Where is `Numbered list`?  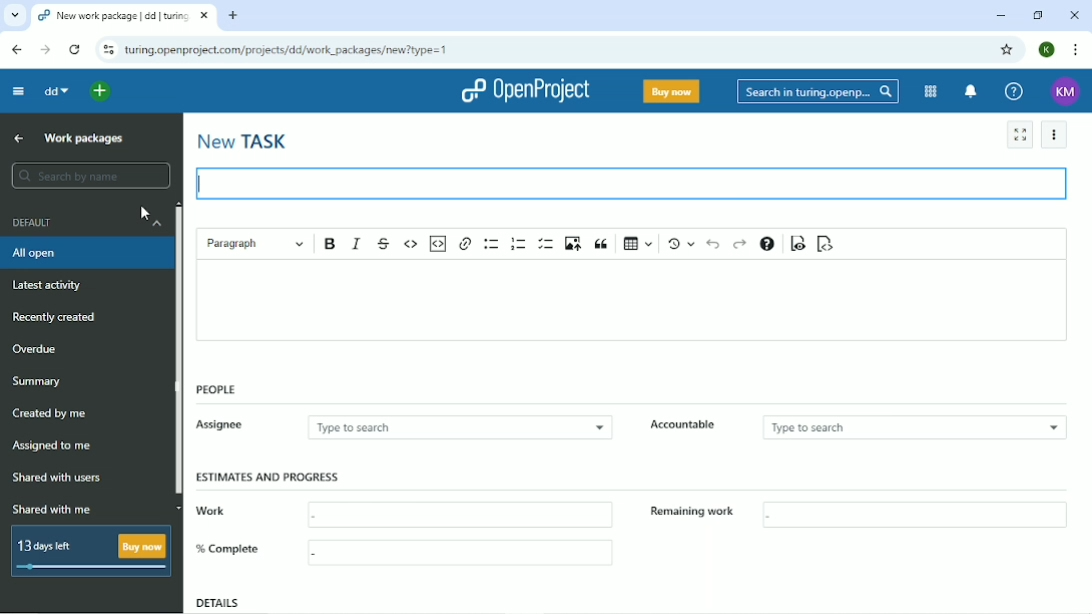 Numbered list is located at coordinates (519, 244).